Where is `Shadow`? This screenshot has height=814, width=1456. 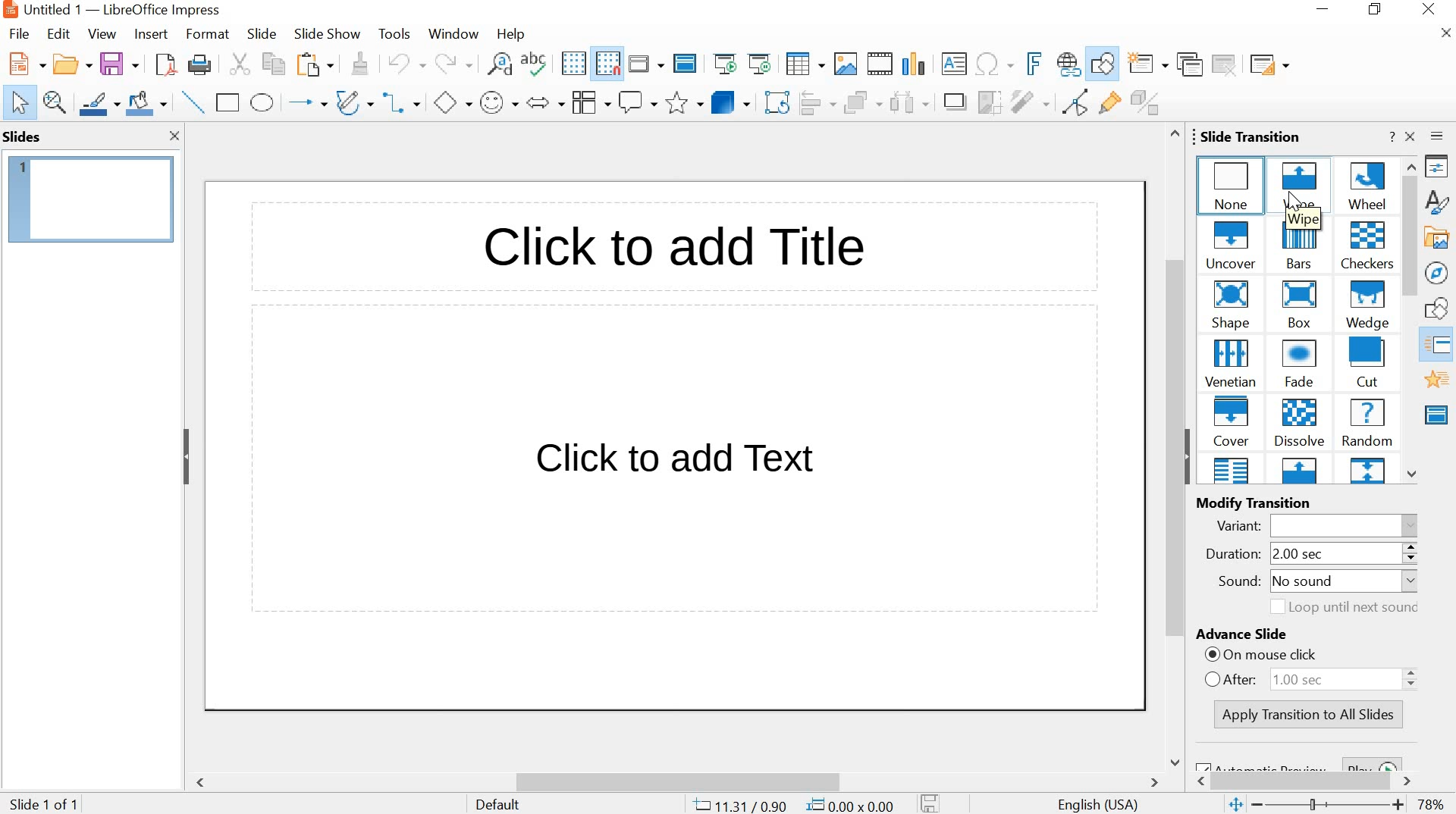
Shadow is located at coordinates (955, 102).